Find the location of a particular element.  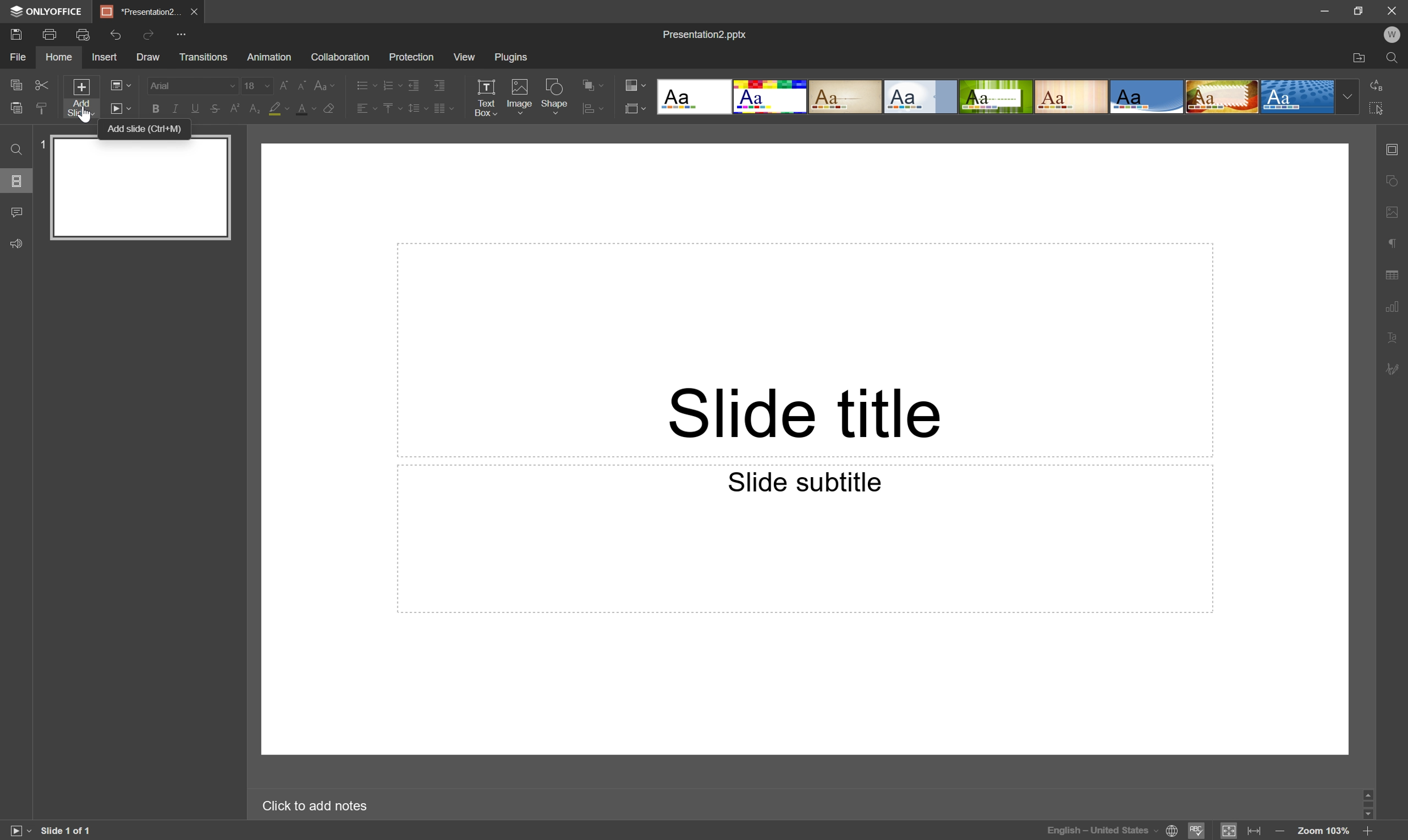

Feedback & Support is located at coordinates (18, 242).